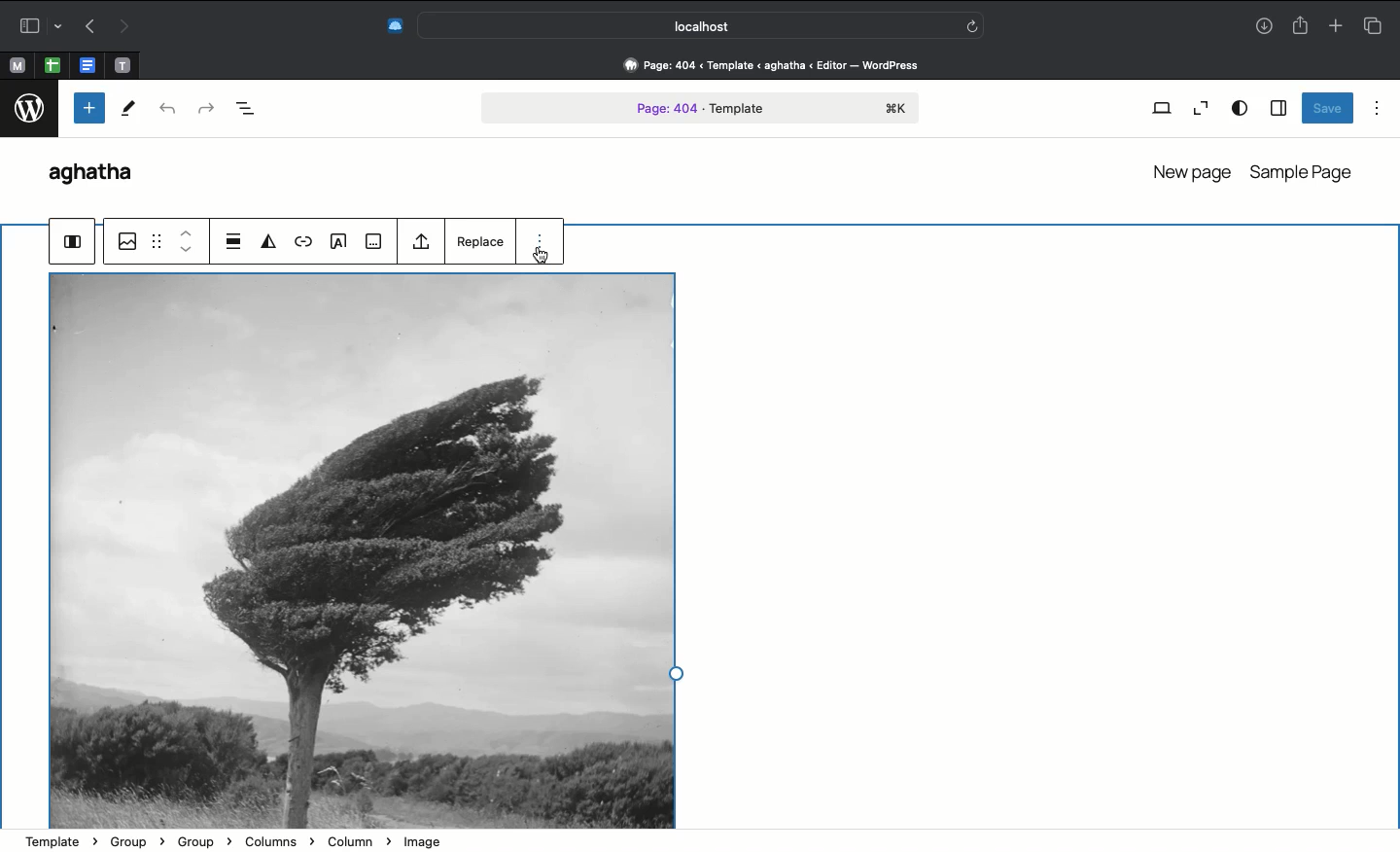  Describe the element at coordinates (1189, 169) in the screenshot. I see `New page` at that location.